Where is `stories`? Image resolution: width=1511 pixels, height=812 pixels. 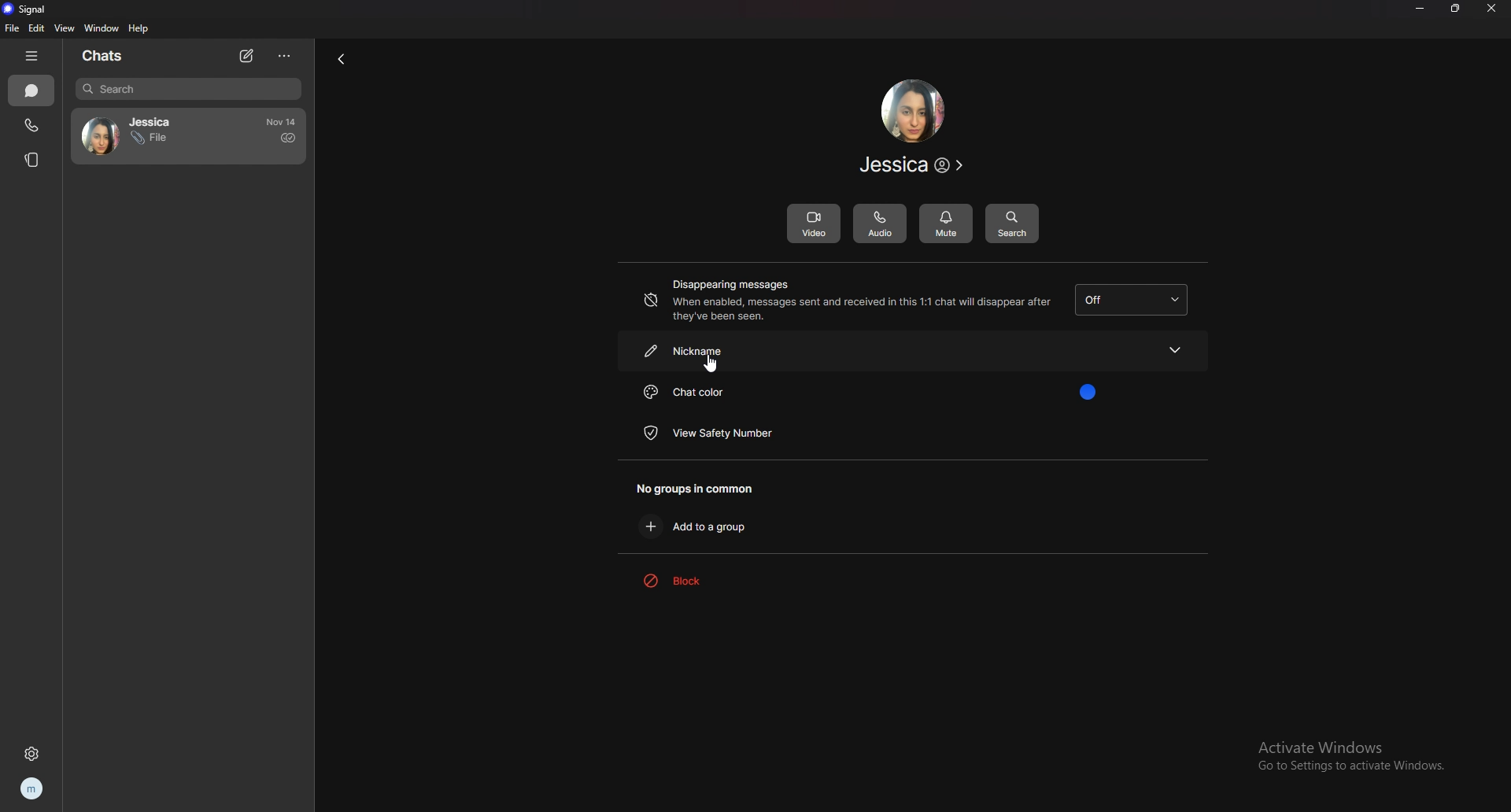 stories is located at coordinates (29, 160).